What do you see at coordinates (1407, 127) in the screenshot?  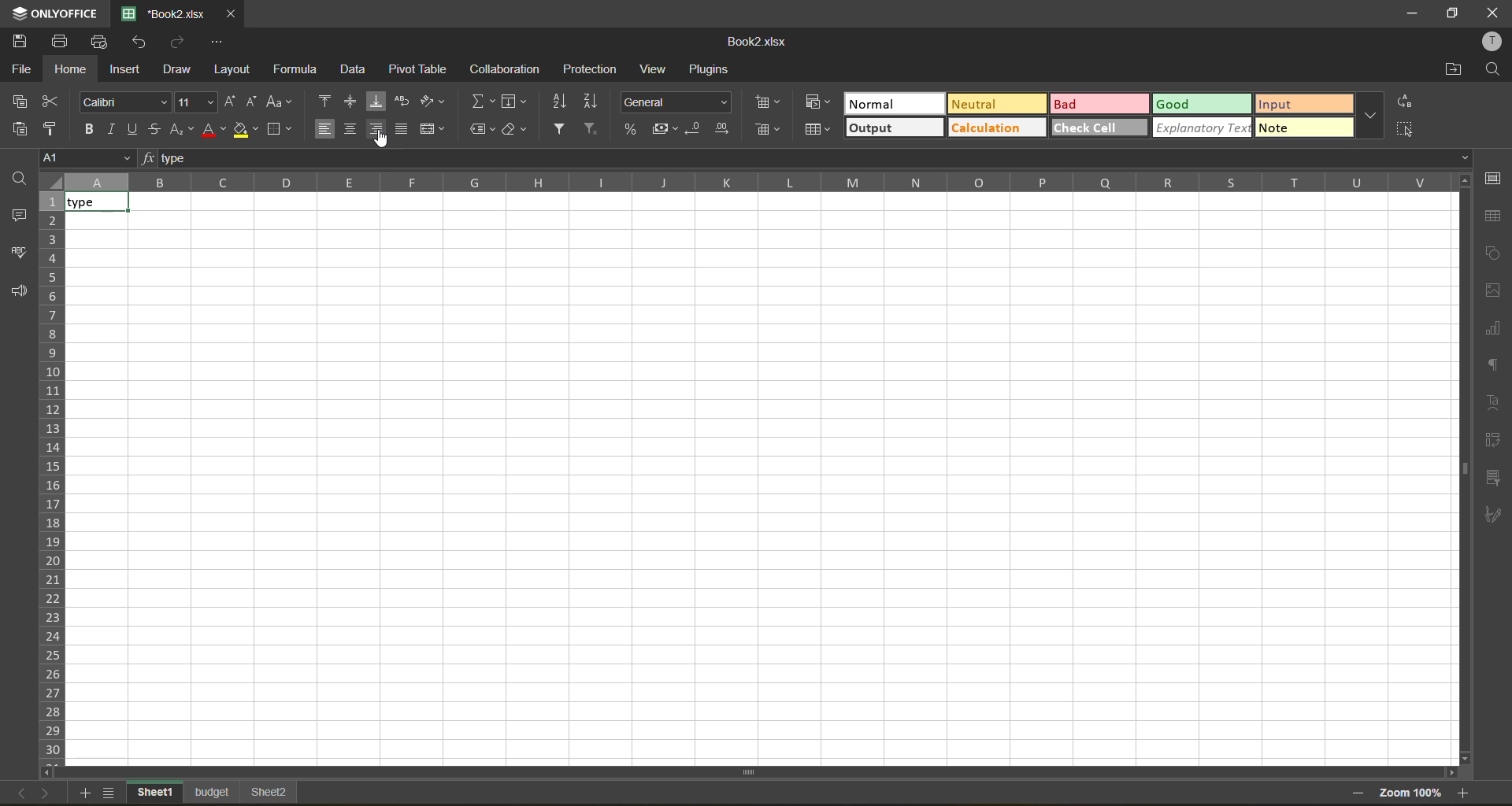 I see `select all` at bounding box center [1407, 127].